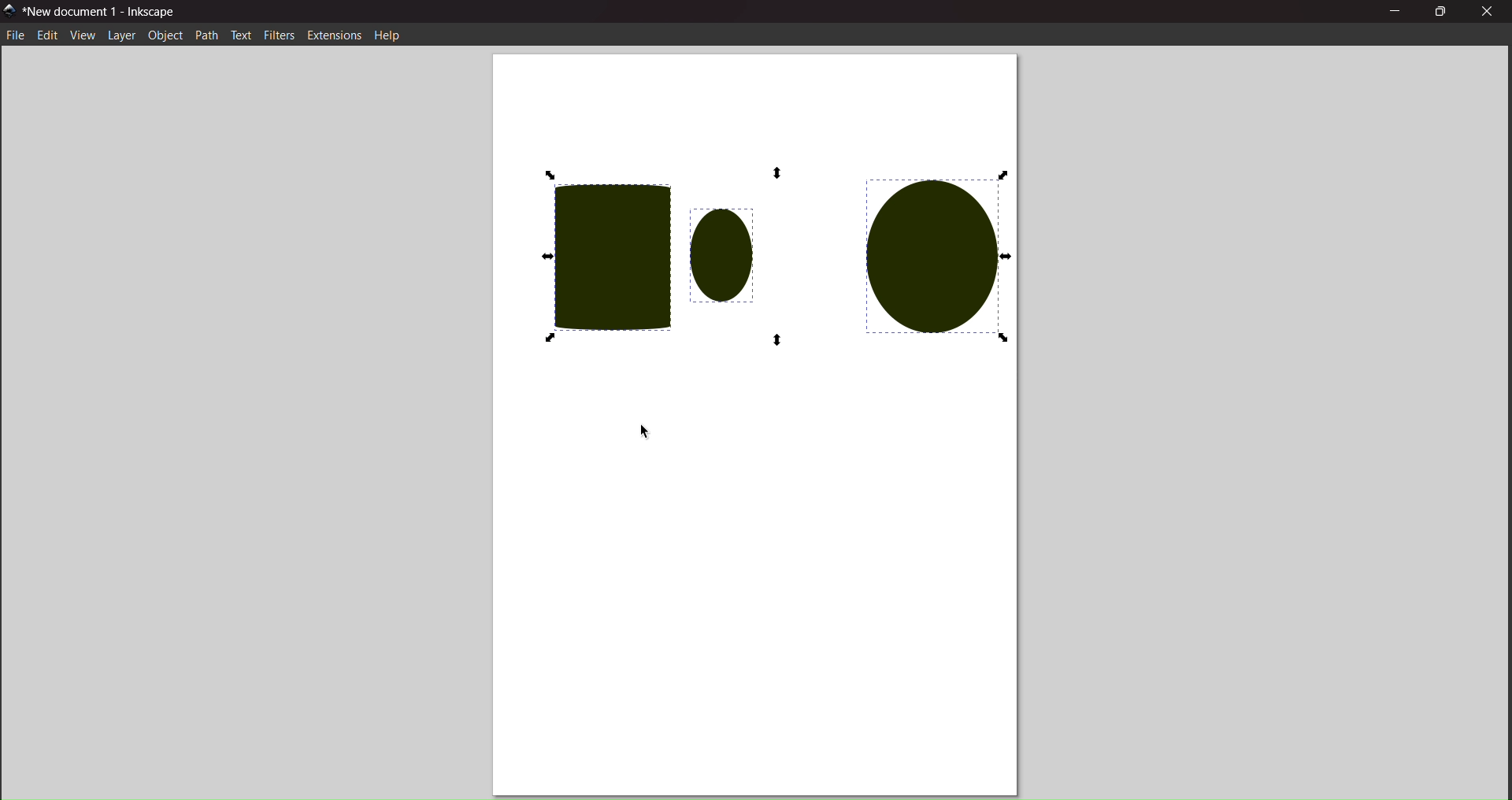  Describe the element at coordinates (17, 36) in the screenshot. I see `file` at that location.